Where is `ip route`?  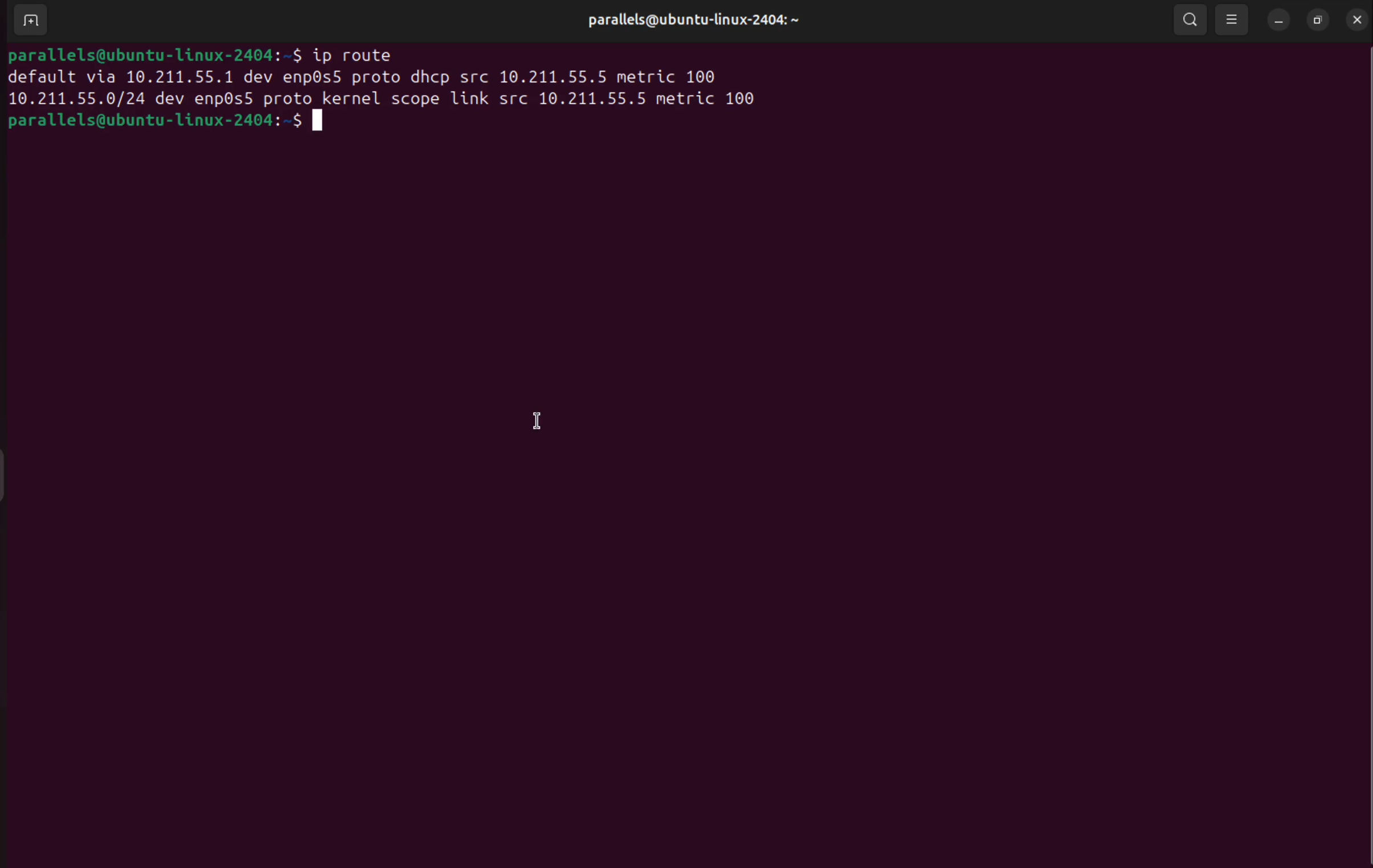 ip route is located at coordinates (361, 54).